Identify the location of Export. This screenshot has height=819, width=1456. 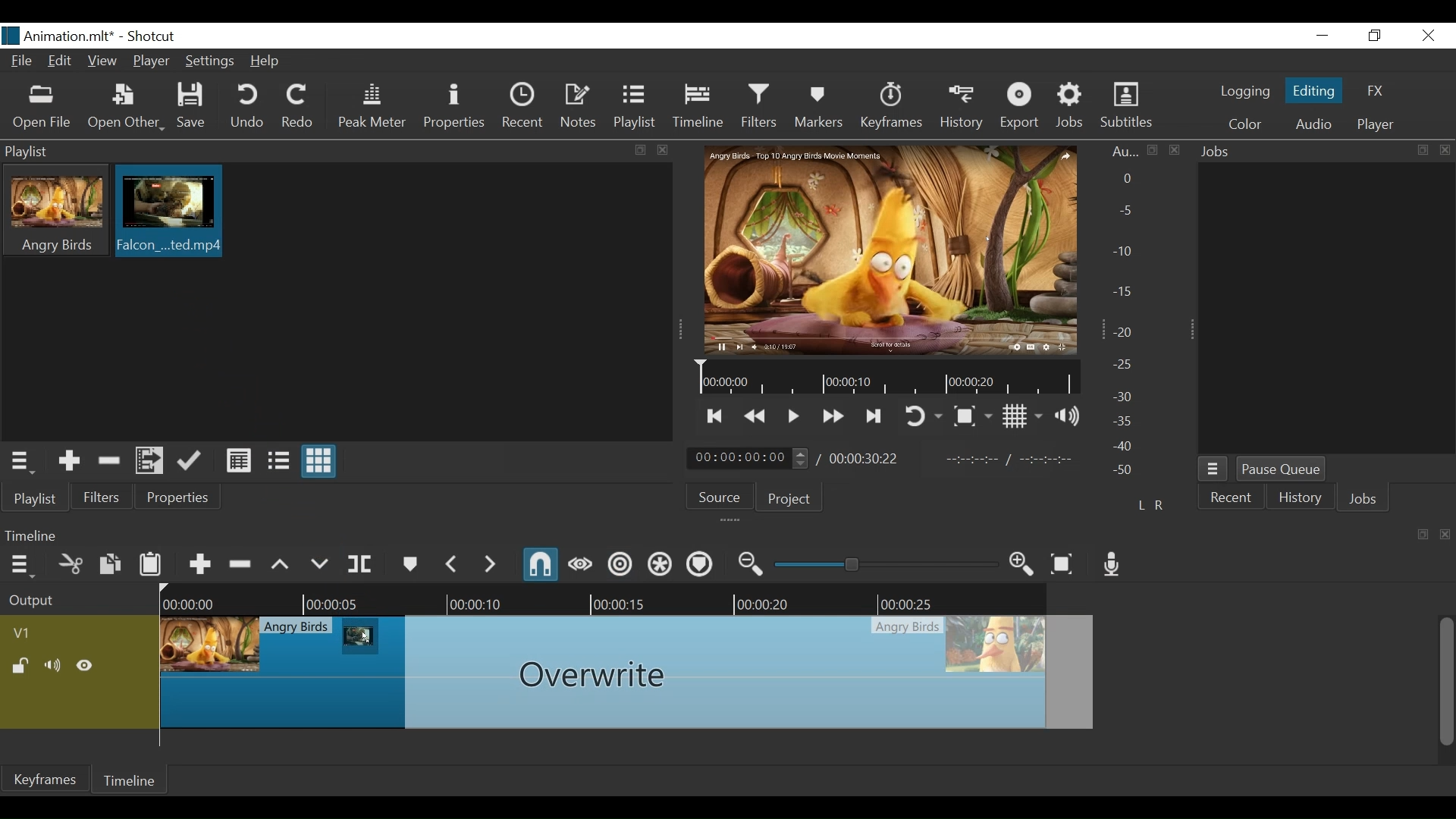
(1020, 108).